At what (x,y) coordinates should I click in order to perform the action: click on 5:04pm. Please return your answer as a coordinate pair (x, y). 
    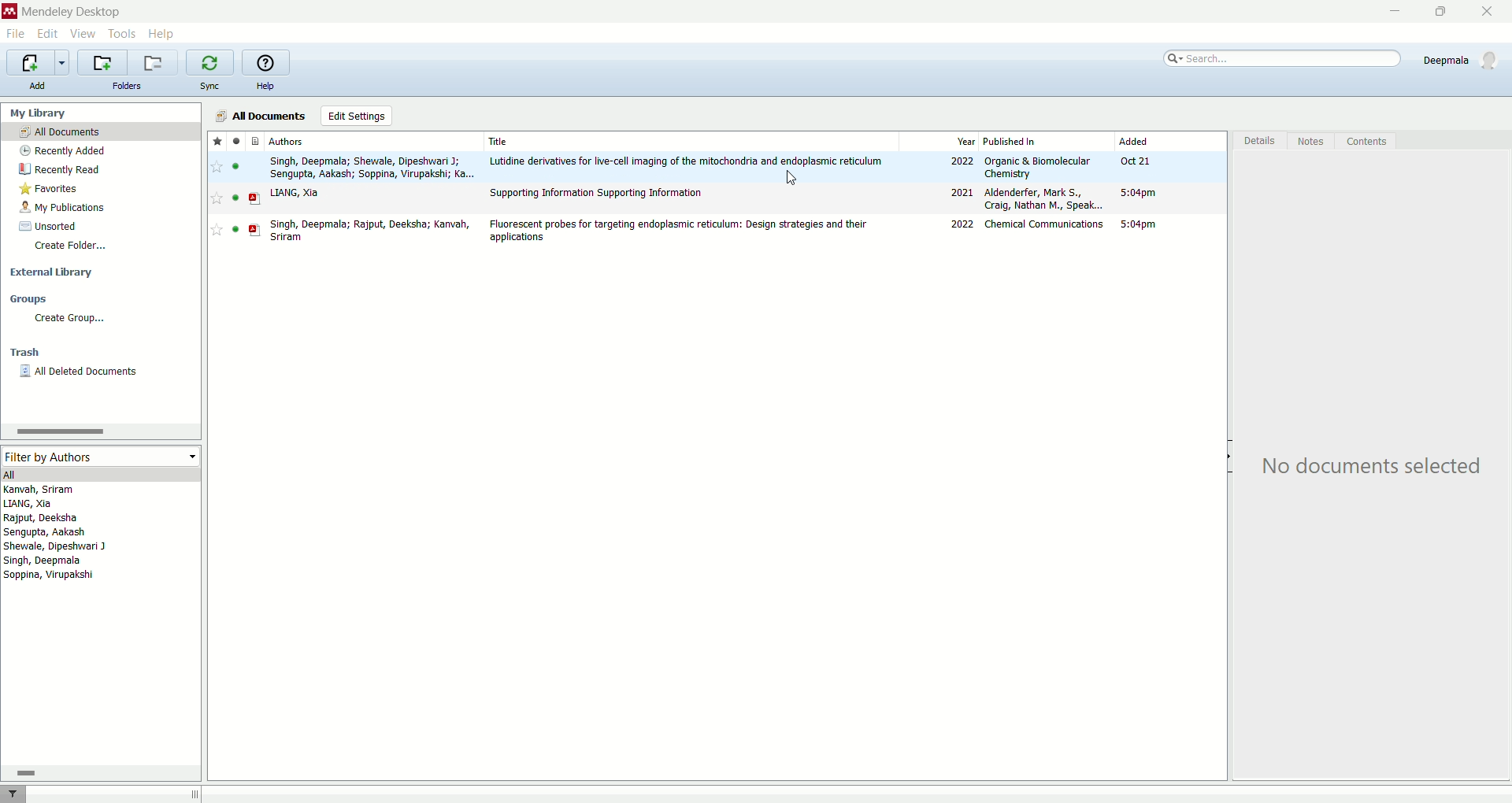
    Looking at the image, I should click on (1139, 192).